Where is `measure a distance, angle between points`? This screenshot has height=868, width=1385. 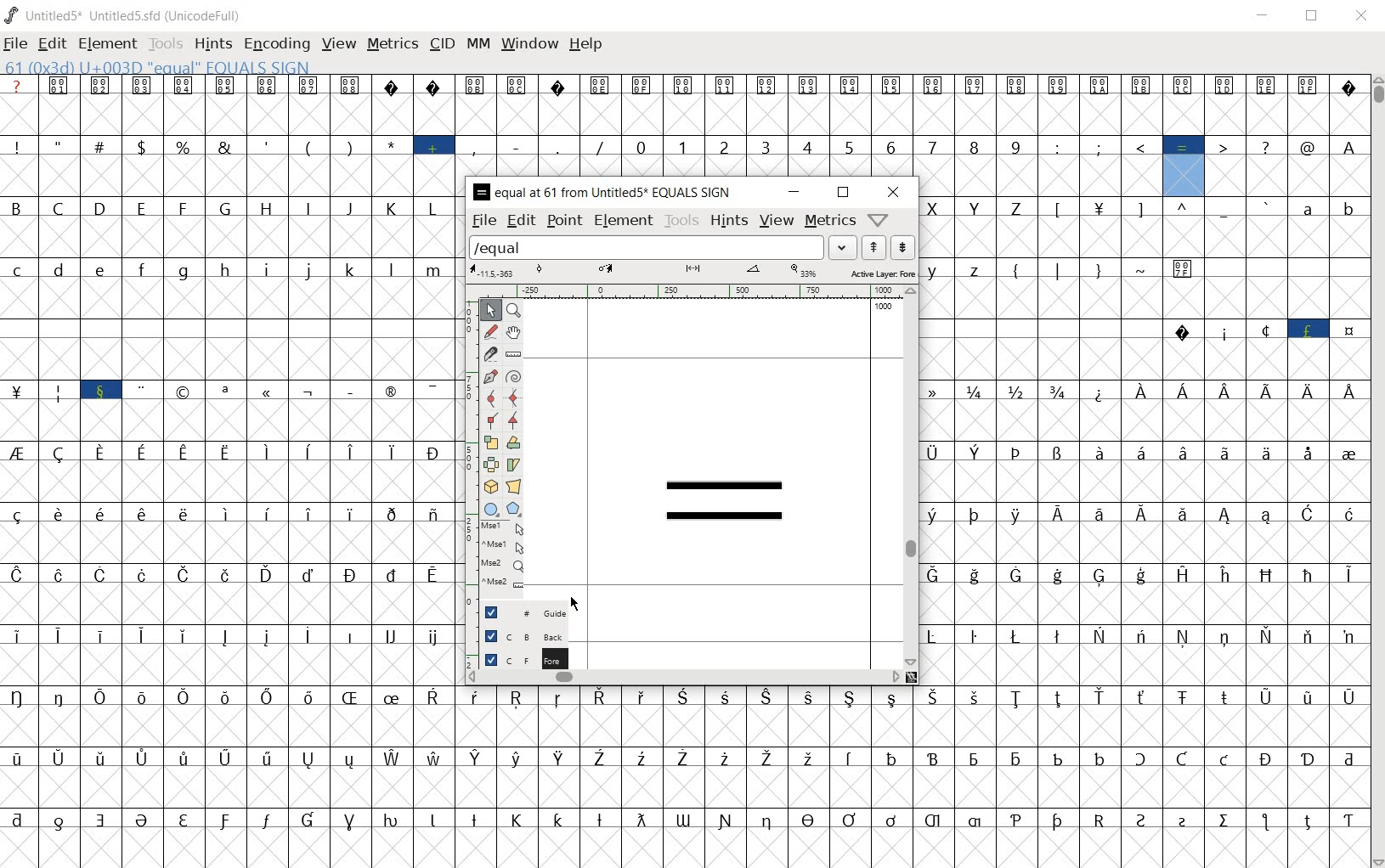 measure a distance, angle between points is located at coordinates (515, 353).